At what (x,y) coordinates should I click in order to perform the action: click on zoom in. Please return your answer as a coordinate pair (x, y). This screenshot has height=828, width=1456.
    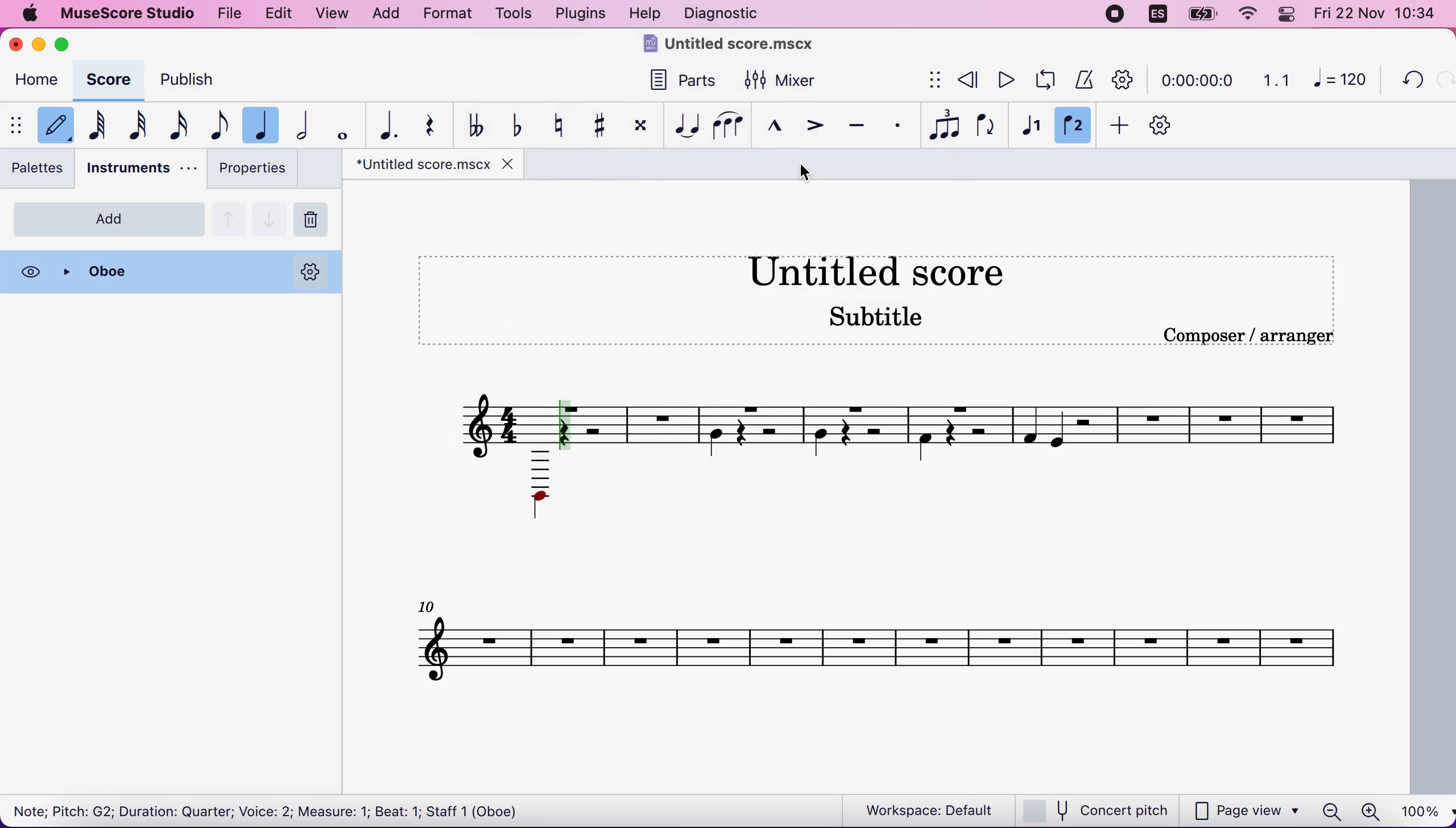
    Looking at the image, I should click on (1371, 810).